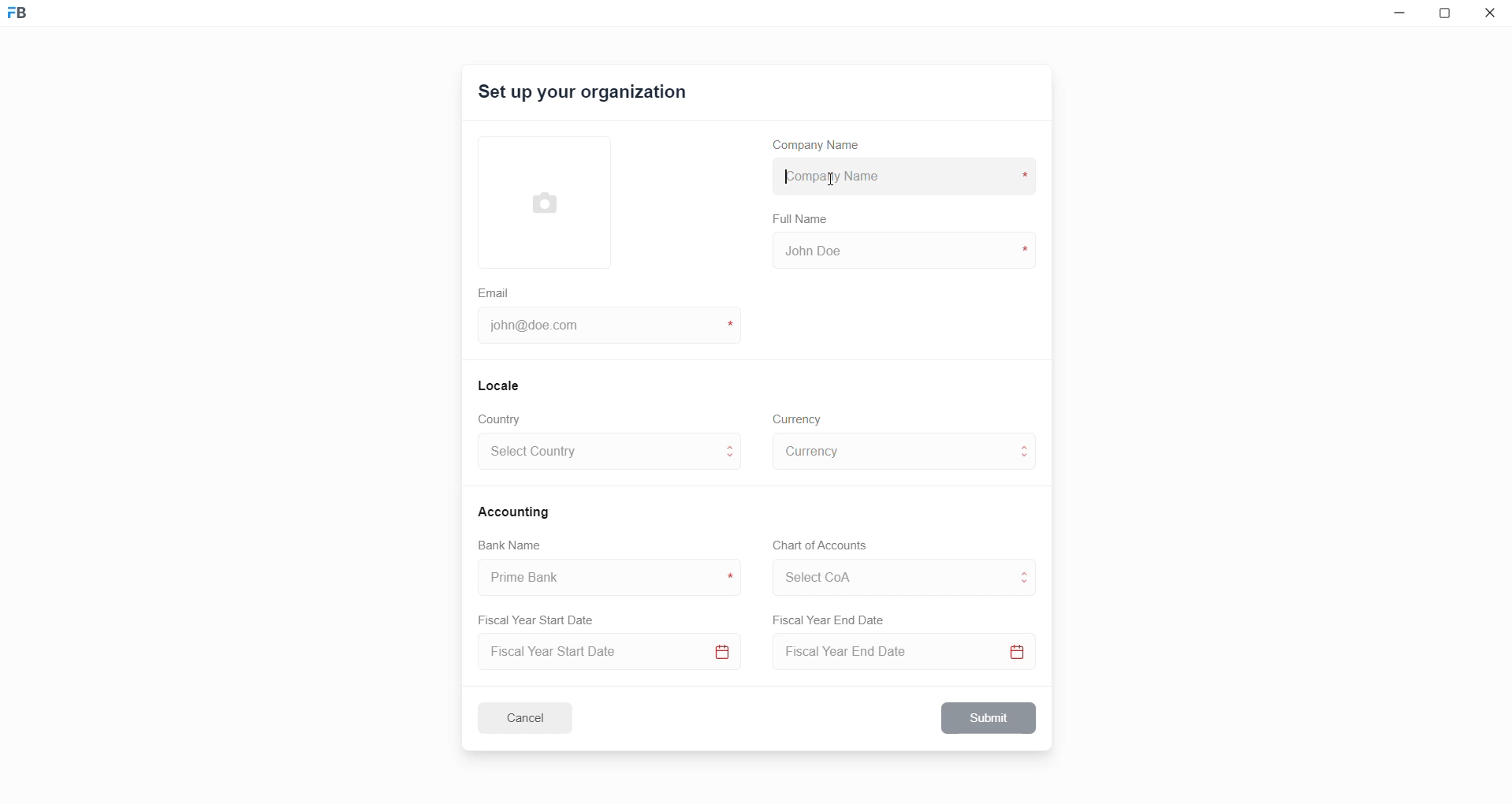 The image size is (1512, 804). Describe the element at coordinates (815, 545) in the screenshot. I see `Chart of Accounts` at that location.